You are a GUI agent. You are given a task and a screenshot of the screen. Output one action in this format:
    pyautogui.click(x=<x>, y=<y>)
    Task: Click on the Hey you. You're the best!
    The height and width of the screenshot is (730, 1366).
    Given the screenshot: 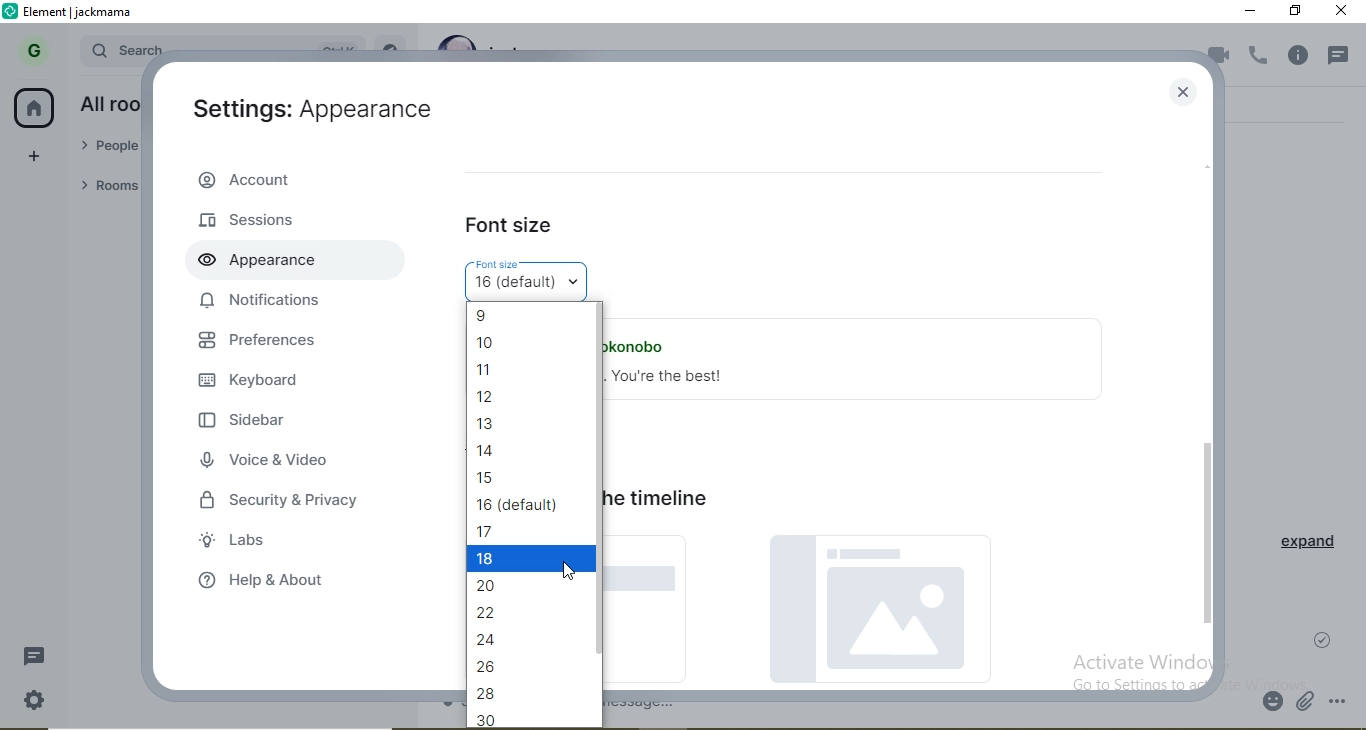 What is the action you would take?
    pyautogui.click(x=678, y=378)
    